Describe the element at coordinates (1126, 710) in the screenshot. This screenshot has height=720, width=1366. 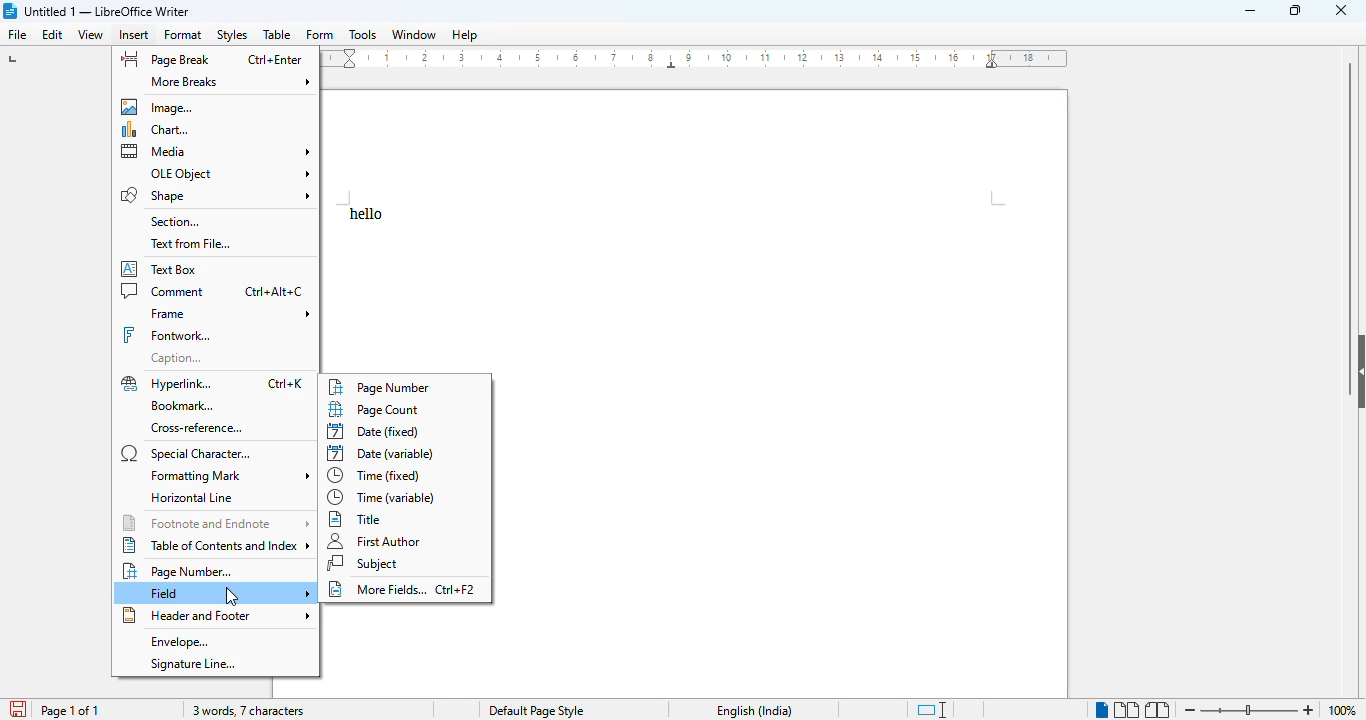
I see `multi-page view` at that location.